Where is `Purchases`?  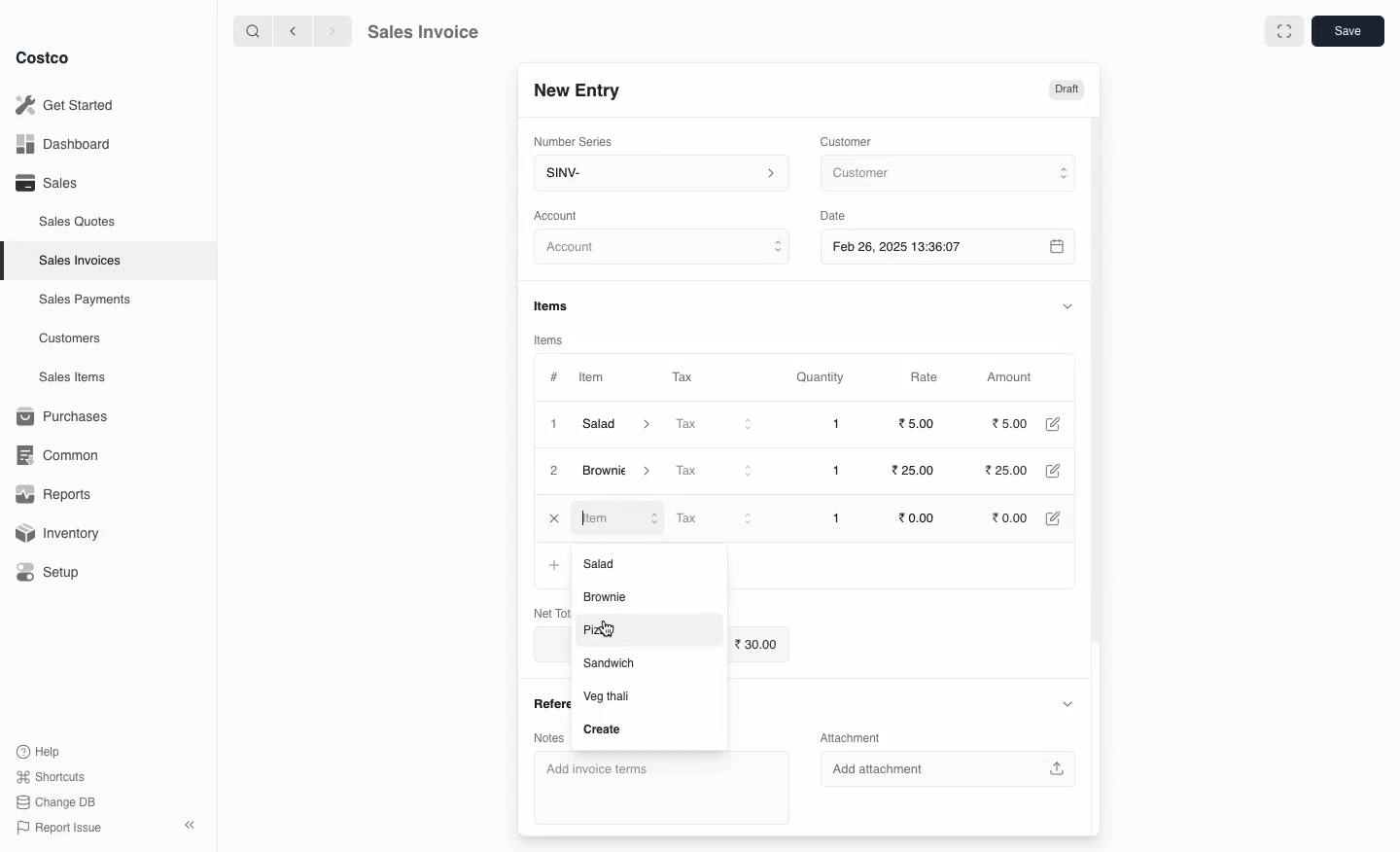 Purchases is located at coordinates (67, 416).